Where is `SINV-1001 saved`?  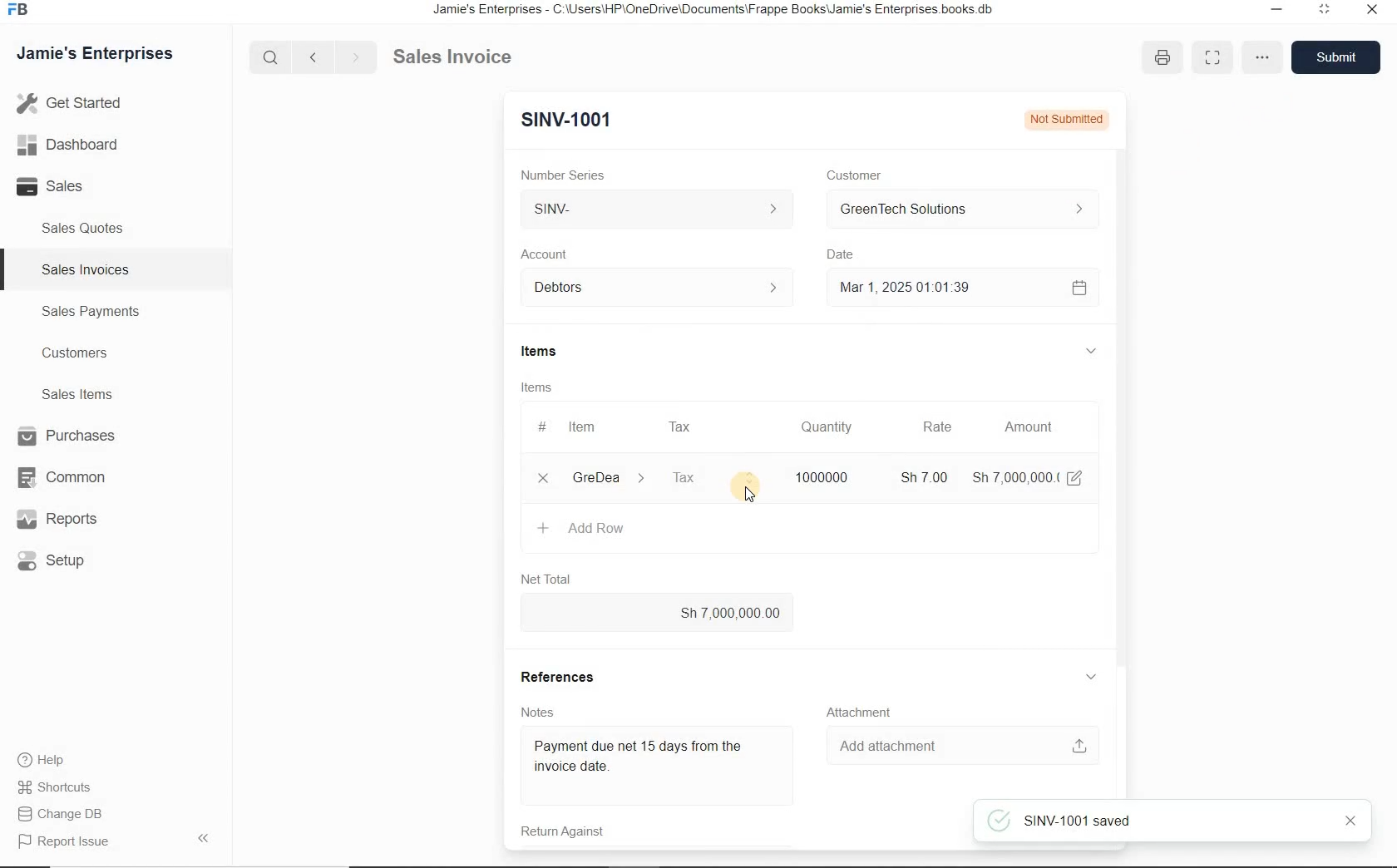
SINV-1001 saved is located at coordinates (1166, 822).